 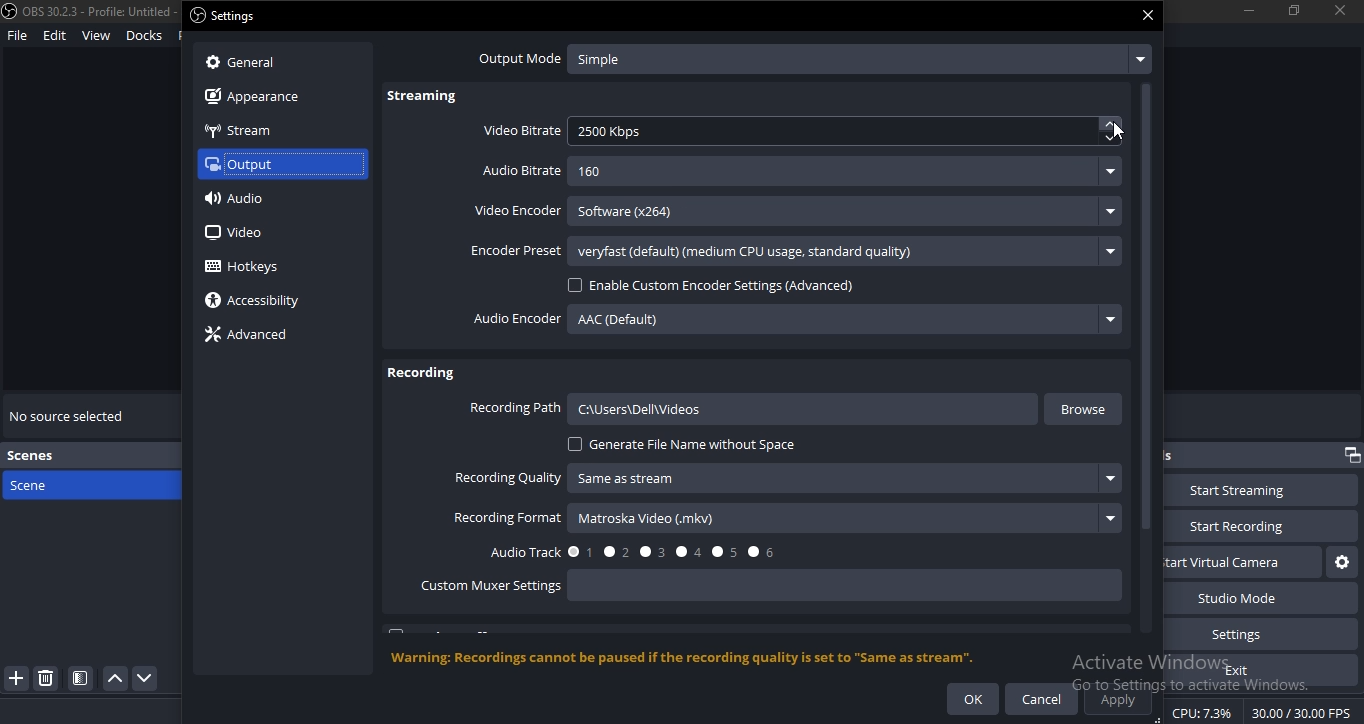 What do you see at coordinates (1149, 14) in the screenshot?
I see `close` at bounding box center [1149, 14].